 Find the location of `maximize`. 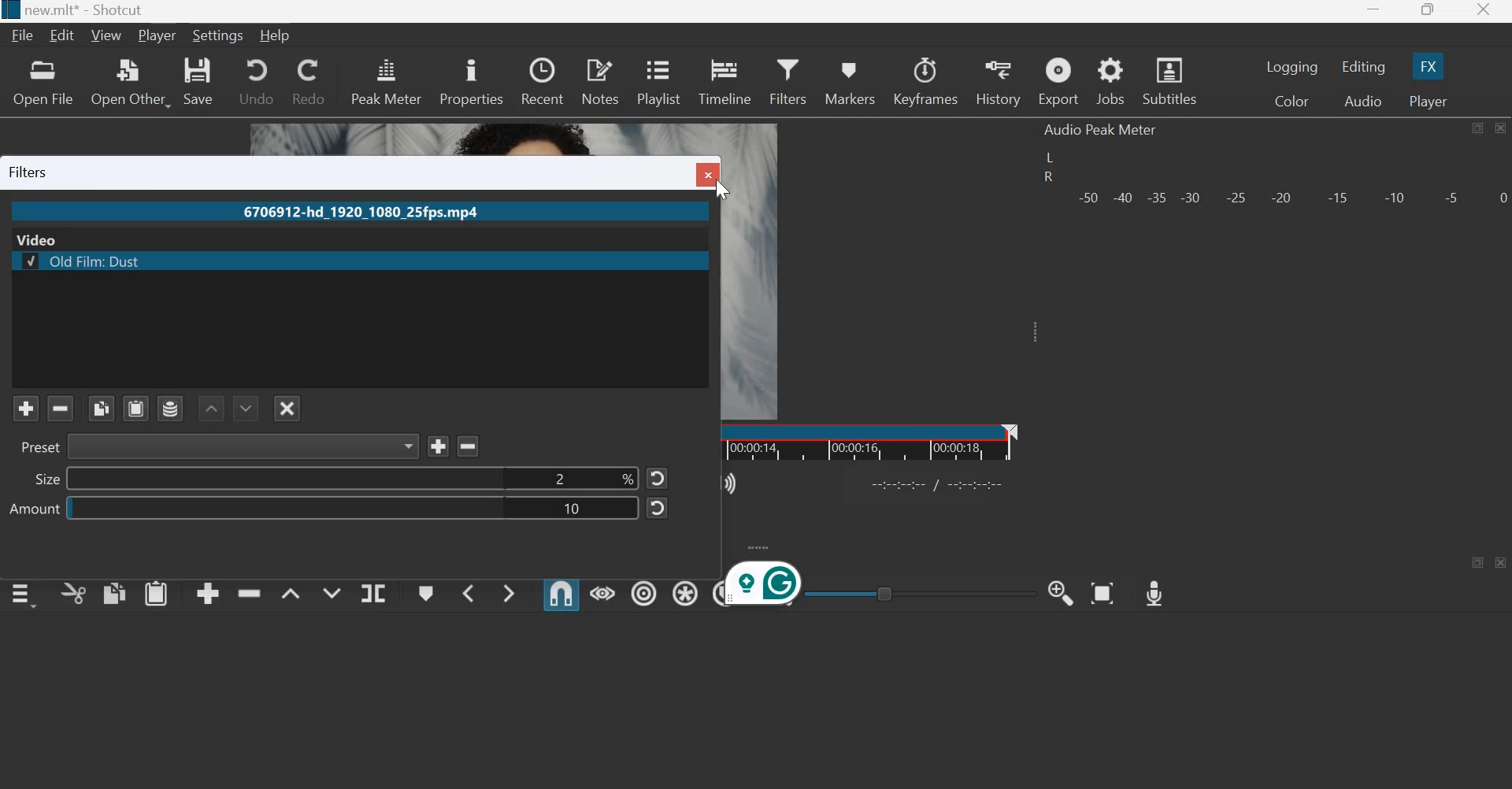

maximize is located at coordinates (1480, 562).